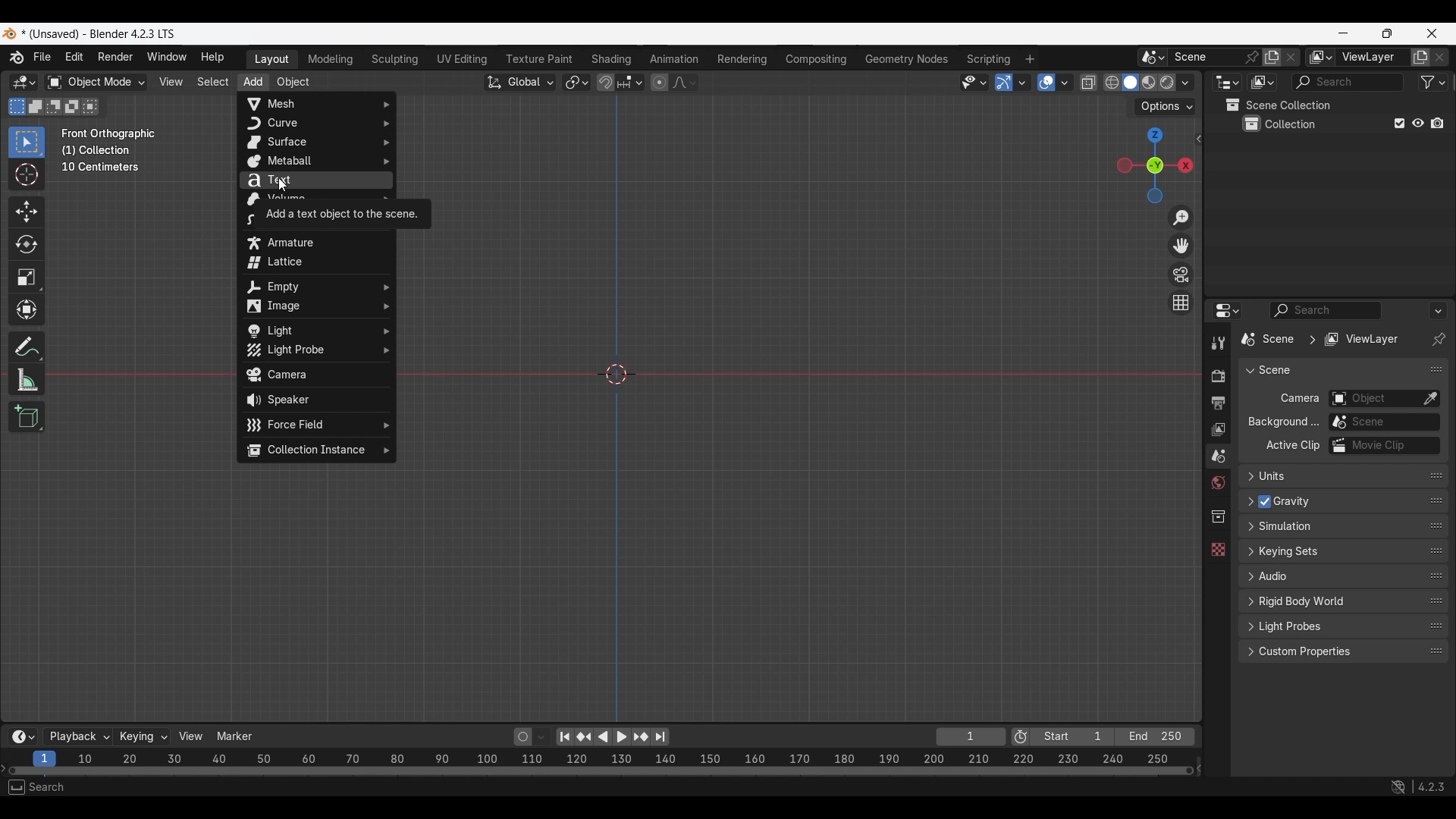 The image size is (1456, 819). What do you see at coordinates (1200, 767) in the screenshot?
I see `Decrease frames space` at bounding box center [1200, 767].